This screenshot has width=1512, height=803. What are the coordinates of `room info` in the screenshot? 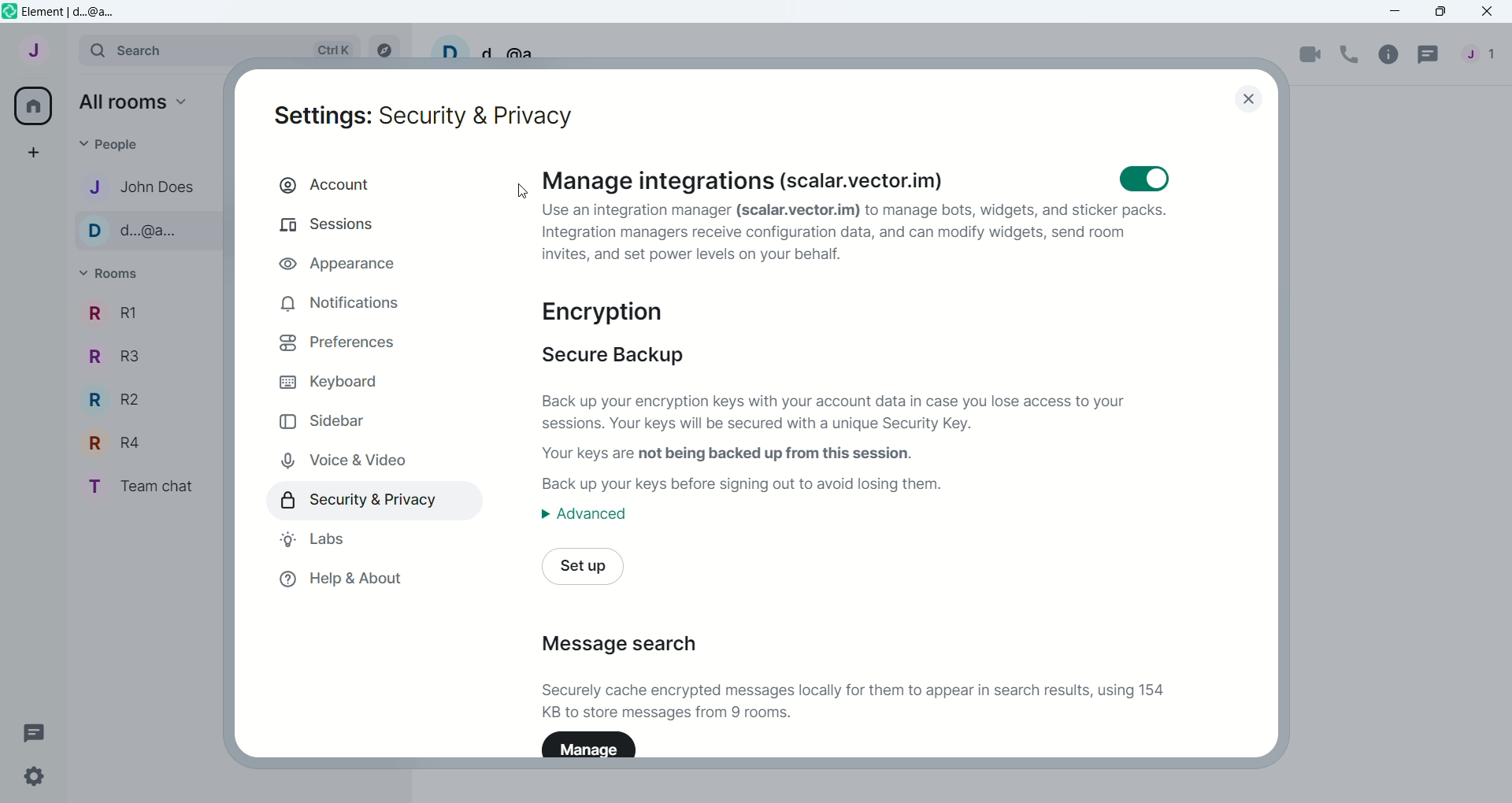 It's located at (1391, 56).